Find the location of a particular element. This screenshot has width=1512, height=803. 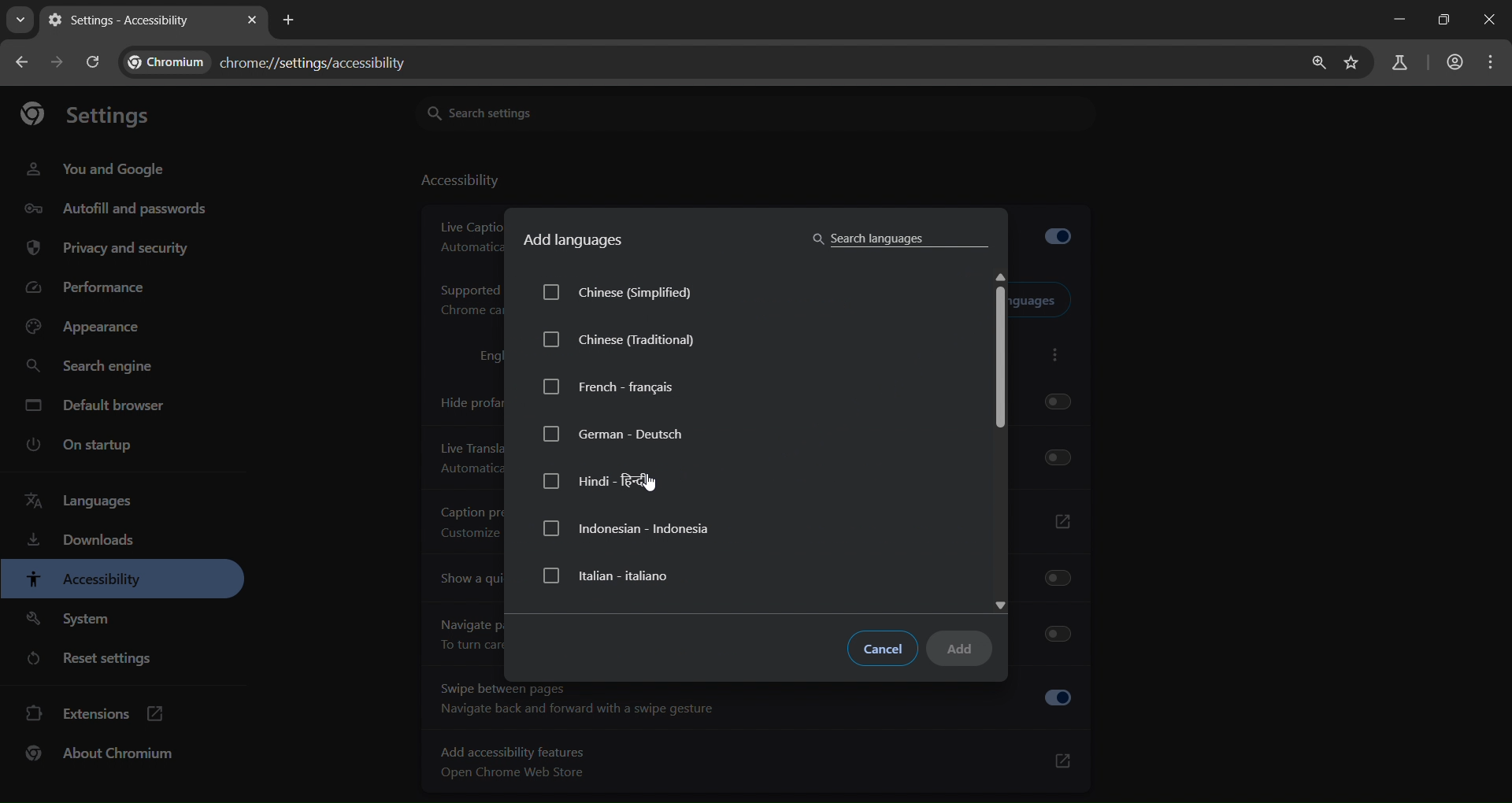

chinese (traditional) is located at coordinates (622, 343).